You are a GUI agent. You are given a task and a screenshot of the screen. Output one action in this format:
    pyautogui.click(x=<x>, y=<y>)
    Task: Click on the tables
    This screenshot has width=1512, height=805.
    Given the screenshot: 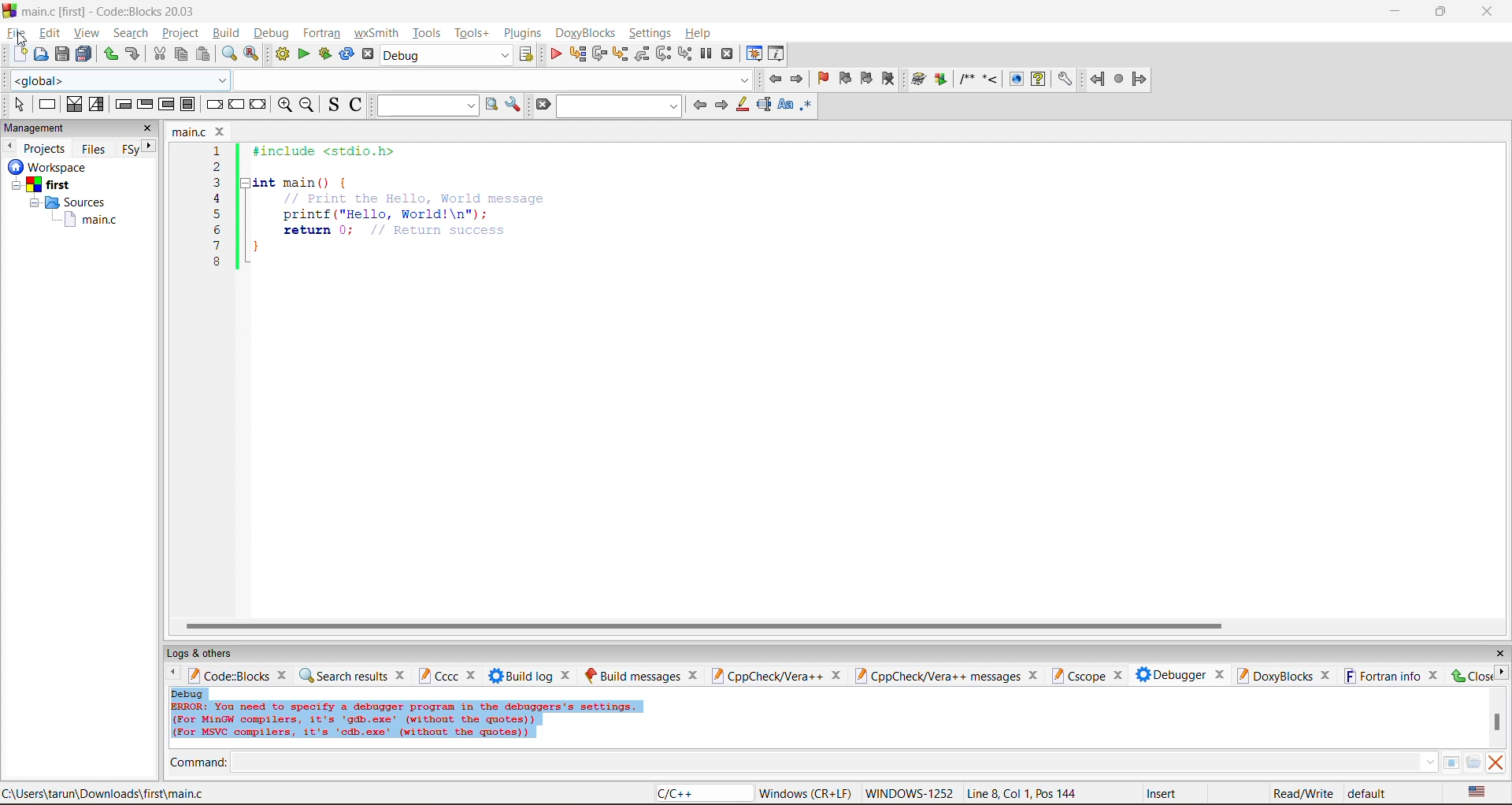 What is the action you would take?
    pyautogui.click(x=1451, y=762)
    